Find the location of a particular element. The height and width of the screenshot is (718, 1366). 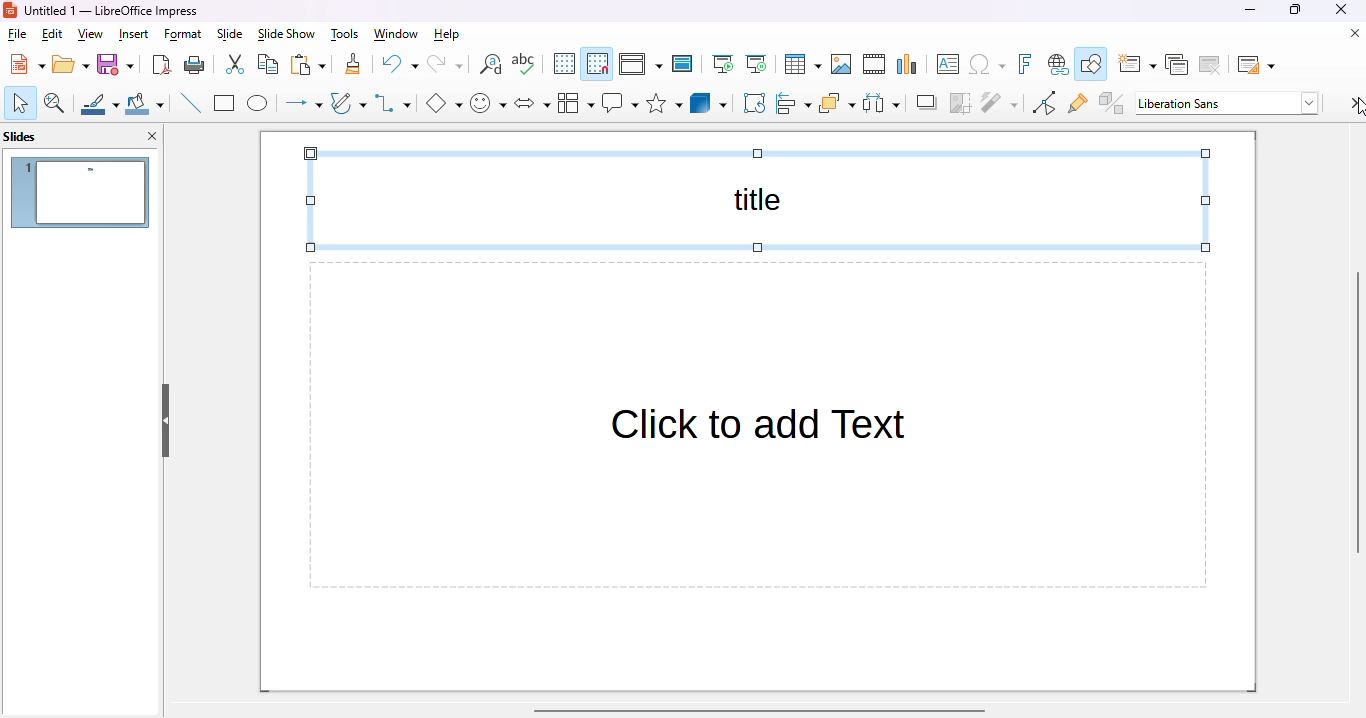

find and replace is located at coordinates (491, 64).